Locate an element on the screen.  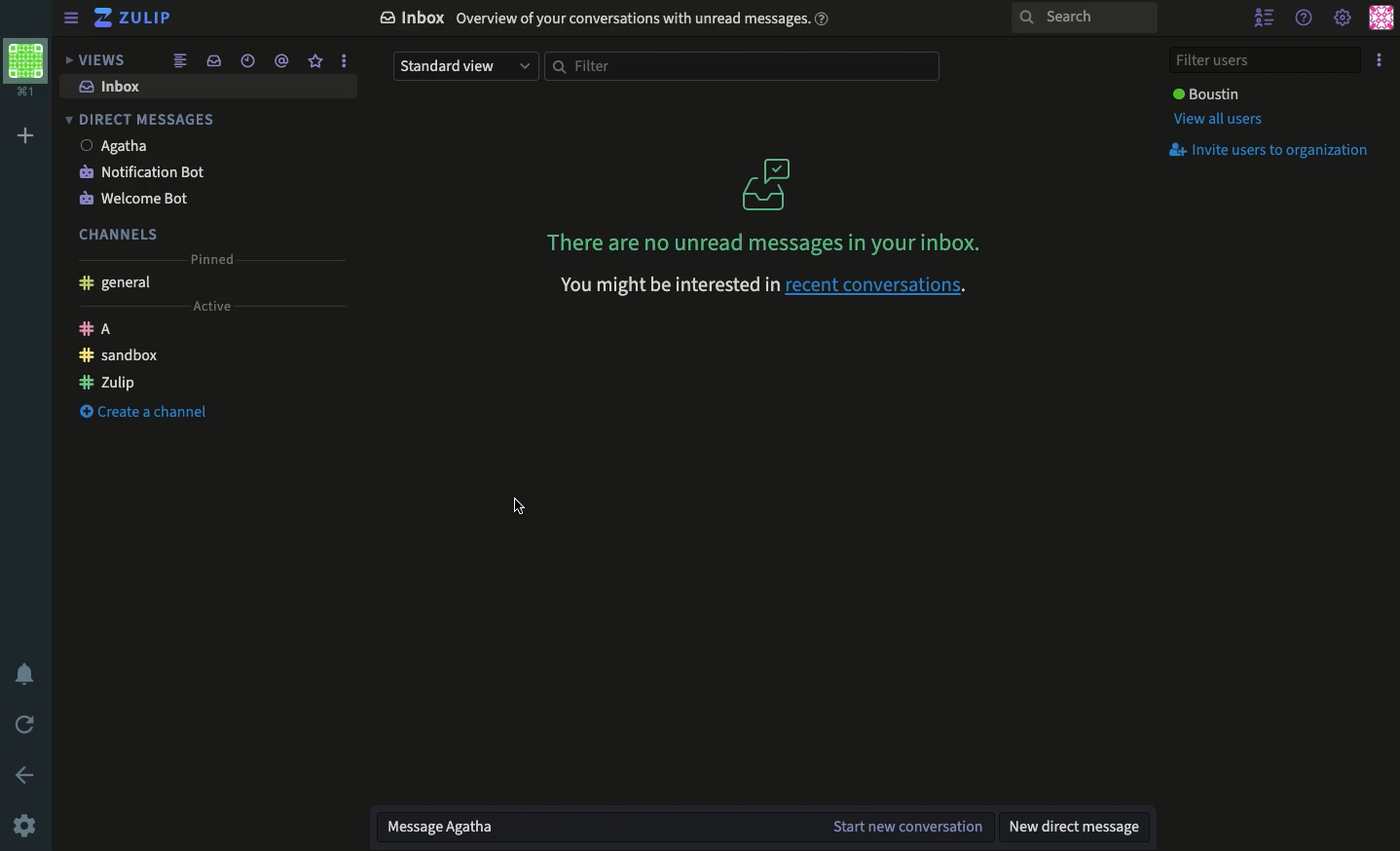
Filter users is located at coordinates (1268, 61).